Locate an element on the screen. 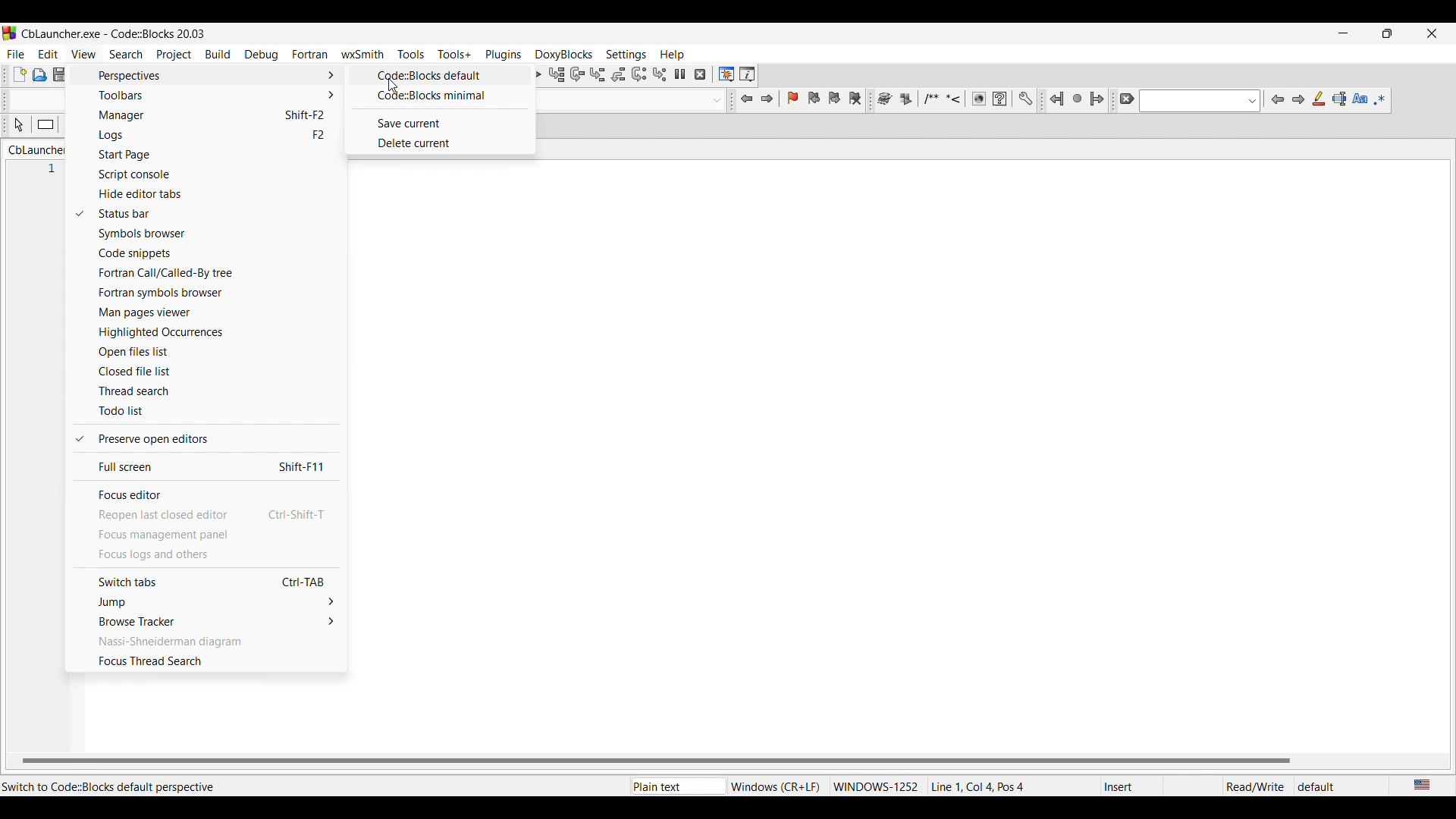 The width and height of the screenshot is (1456, 819). wxSmith menu is located at coordinates (363, 54).